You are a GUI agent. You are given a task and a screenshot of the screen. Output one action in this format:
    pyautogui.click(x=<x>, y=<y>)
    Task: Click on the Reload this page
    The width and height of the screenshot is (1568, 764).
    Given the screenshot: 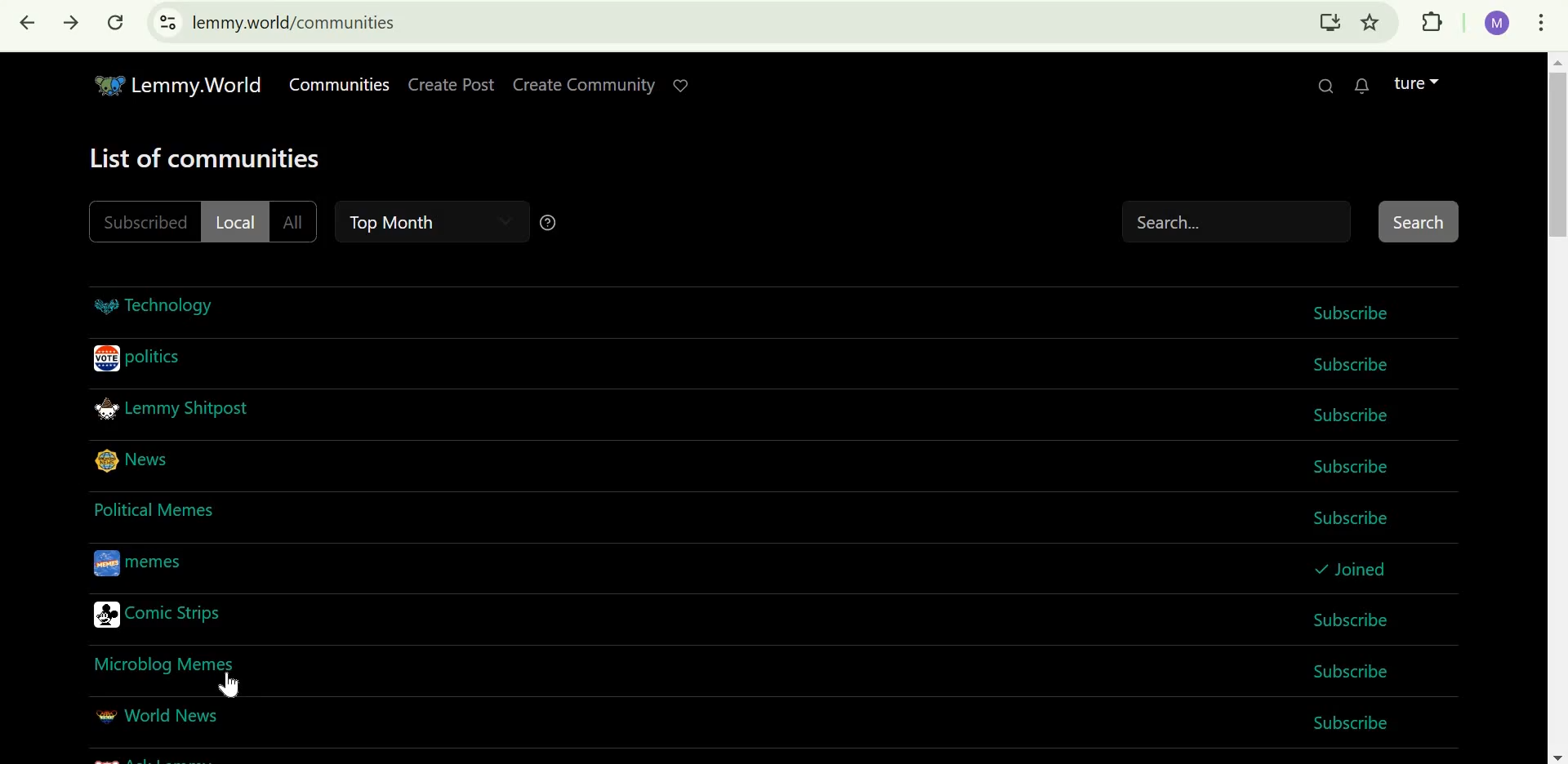 What is the action you would take?
    pyautogui.click(x=117, y=24)
    